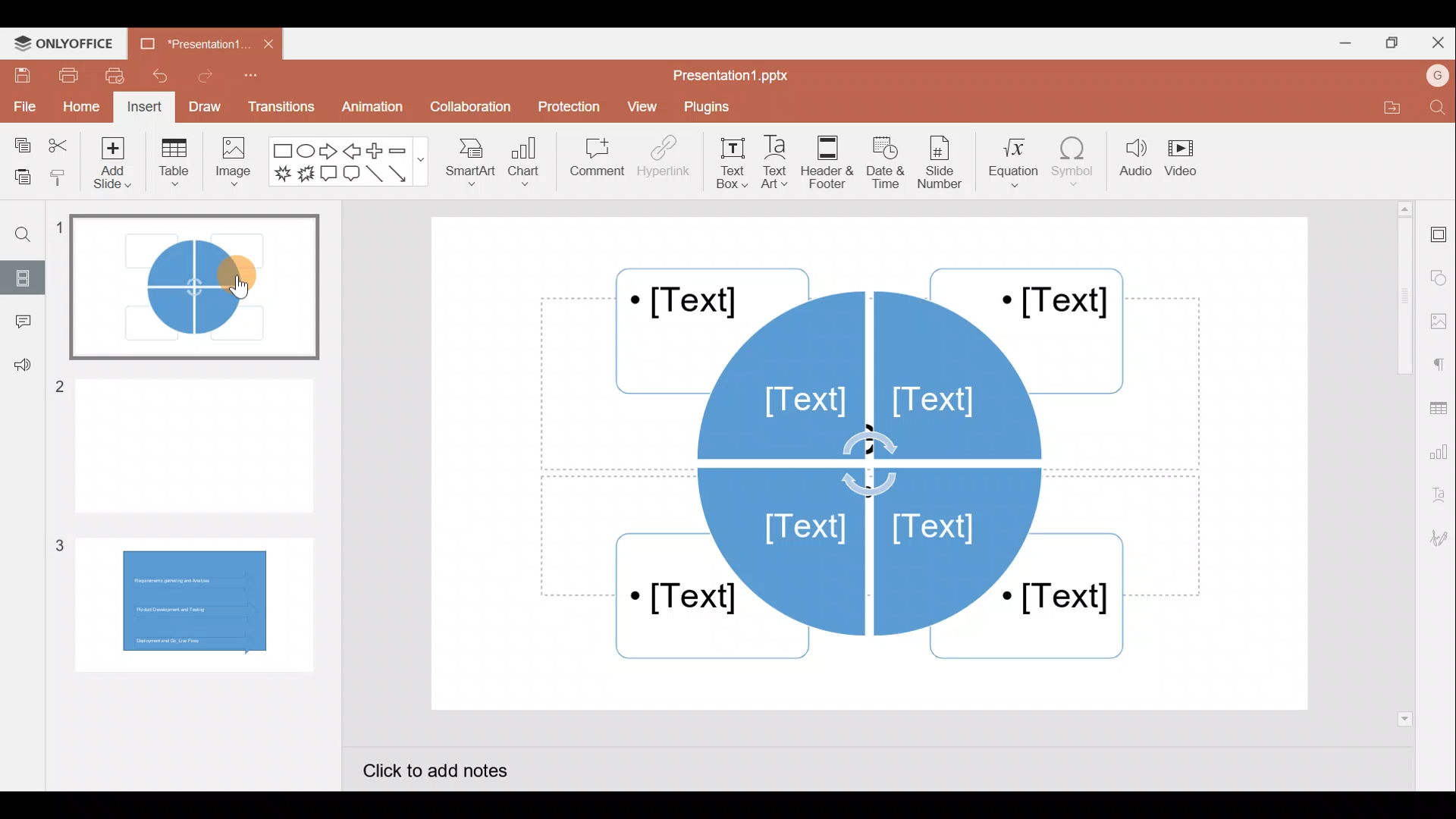 Image resolution: width=1456 pixels, height=819 pixels. I want to click on Open file location, so click(1382, 107).